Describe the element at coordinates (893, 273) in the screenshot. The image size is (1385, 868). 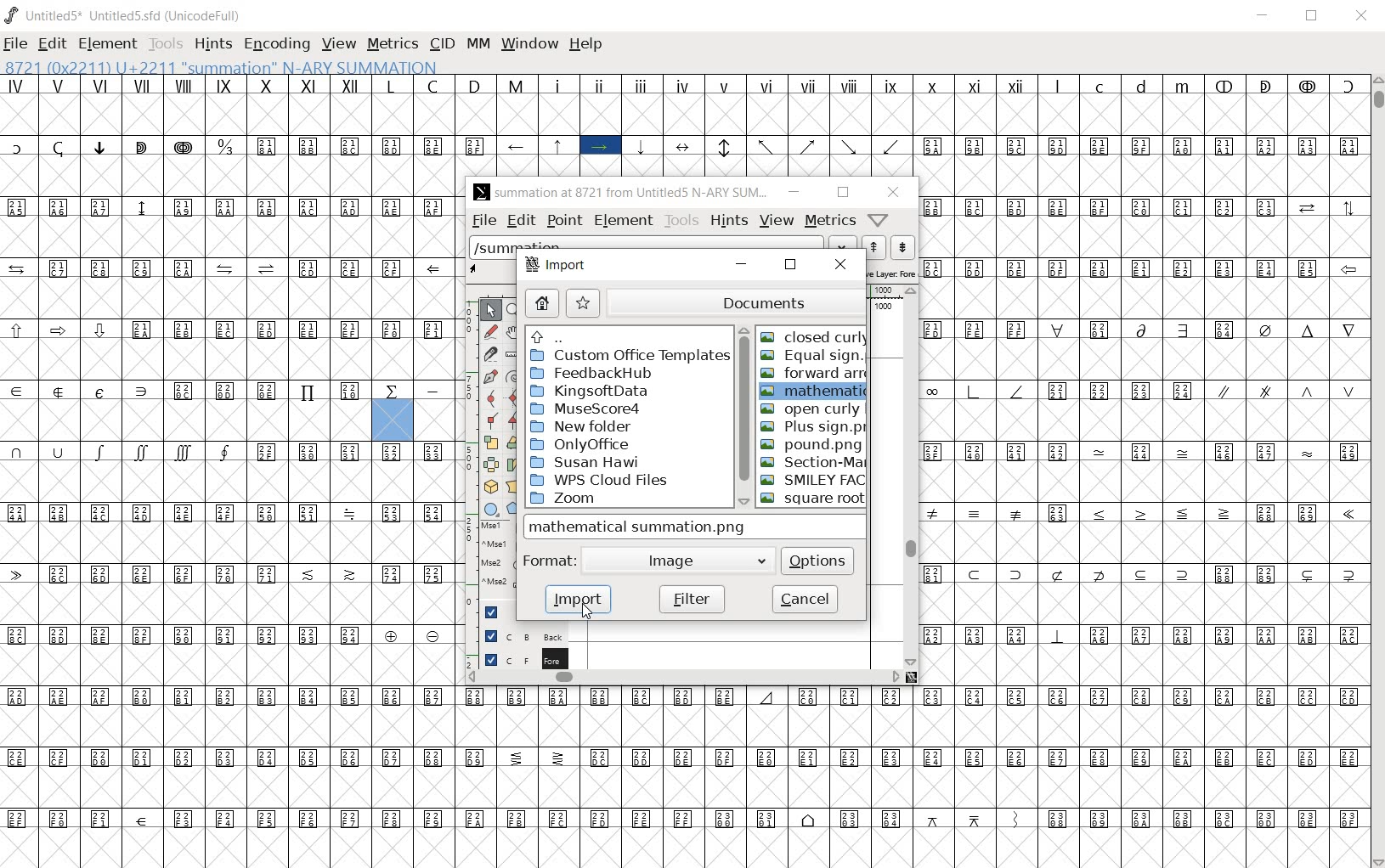
I see `active layer: Fore` at that location.